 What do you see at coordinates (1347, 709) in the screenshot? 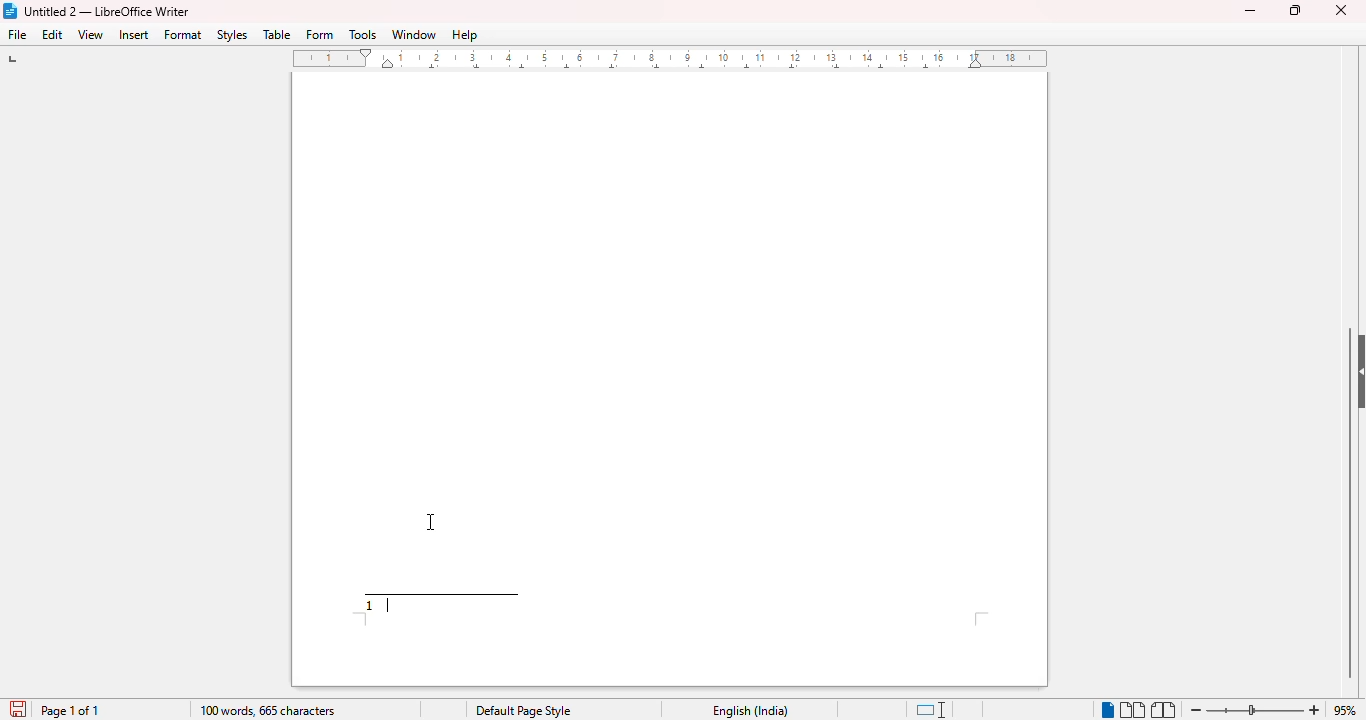
I see `95% (current zoom level)` at bounding box center [1347, 709].